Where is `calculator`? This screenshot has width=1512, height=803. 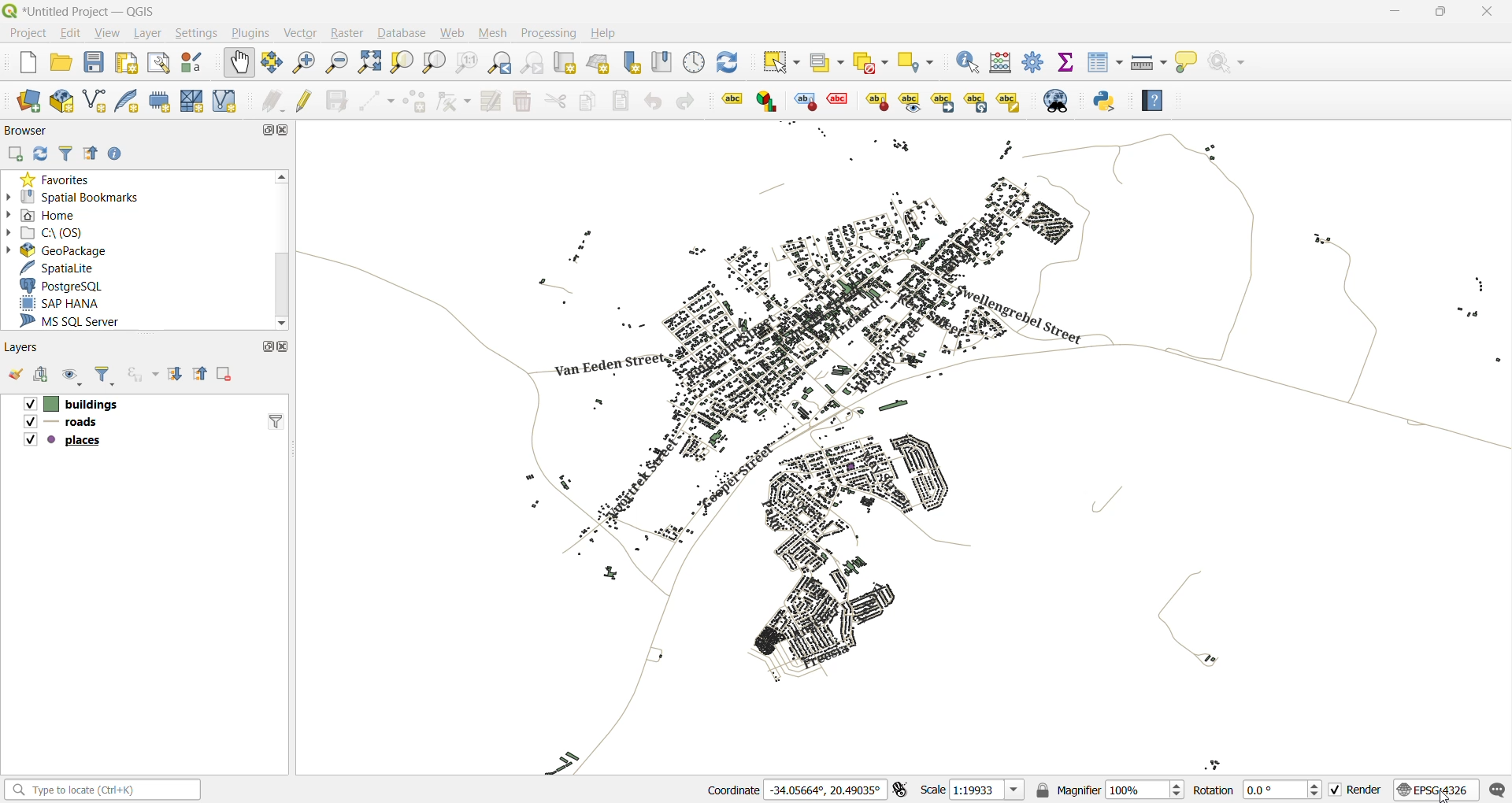 calculator is located at coordinates (1002, 64).